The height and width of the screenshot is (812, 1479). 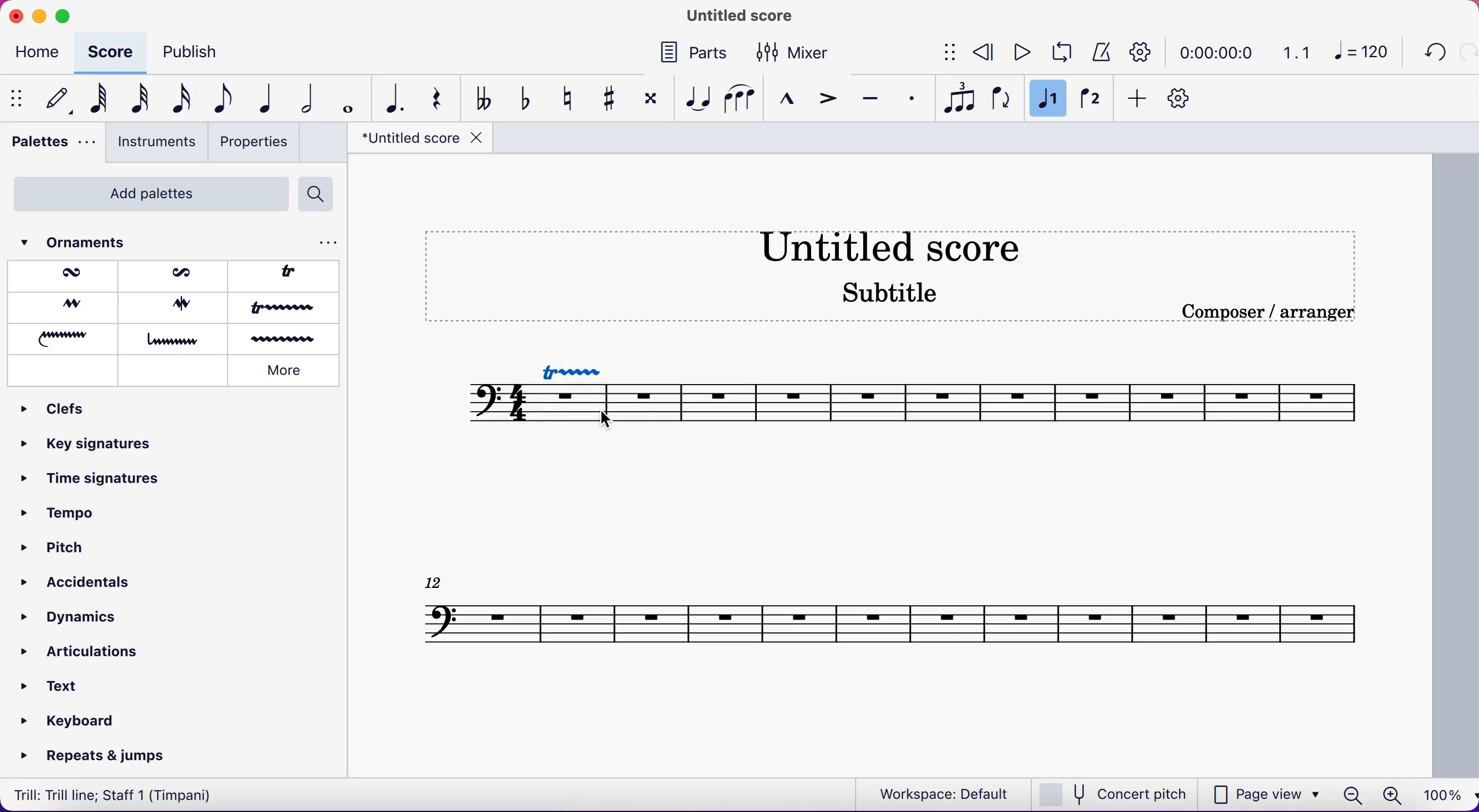 What do you see at coordinates (1298, 52) in the screenshot?
I see `1.1` at bounding box center [1298, 52].